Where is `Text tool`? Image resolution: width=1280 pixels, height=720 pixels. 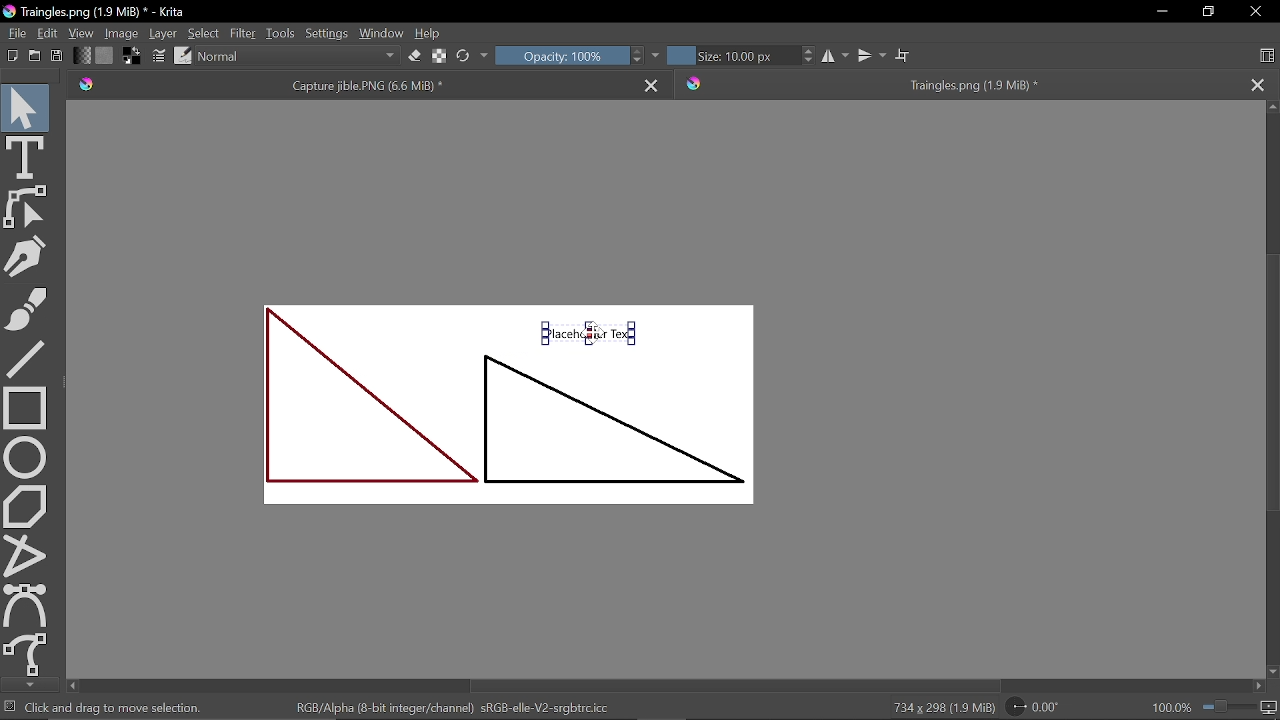
Text tool is located at coordinates (26, 156).